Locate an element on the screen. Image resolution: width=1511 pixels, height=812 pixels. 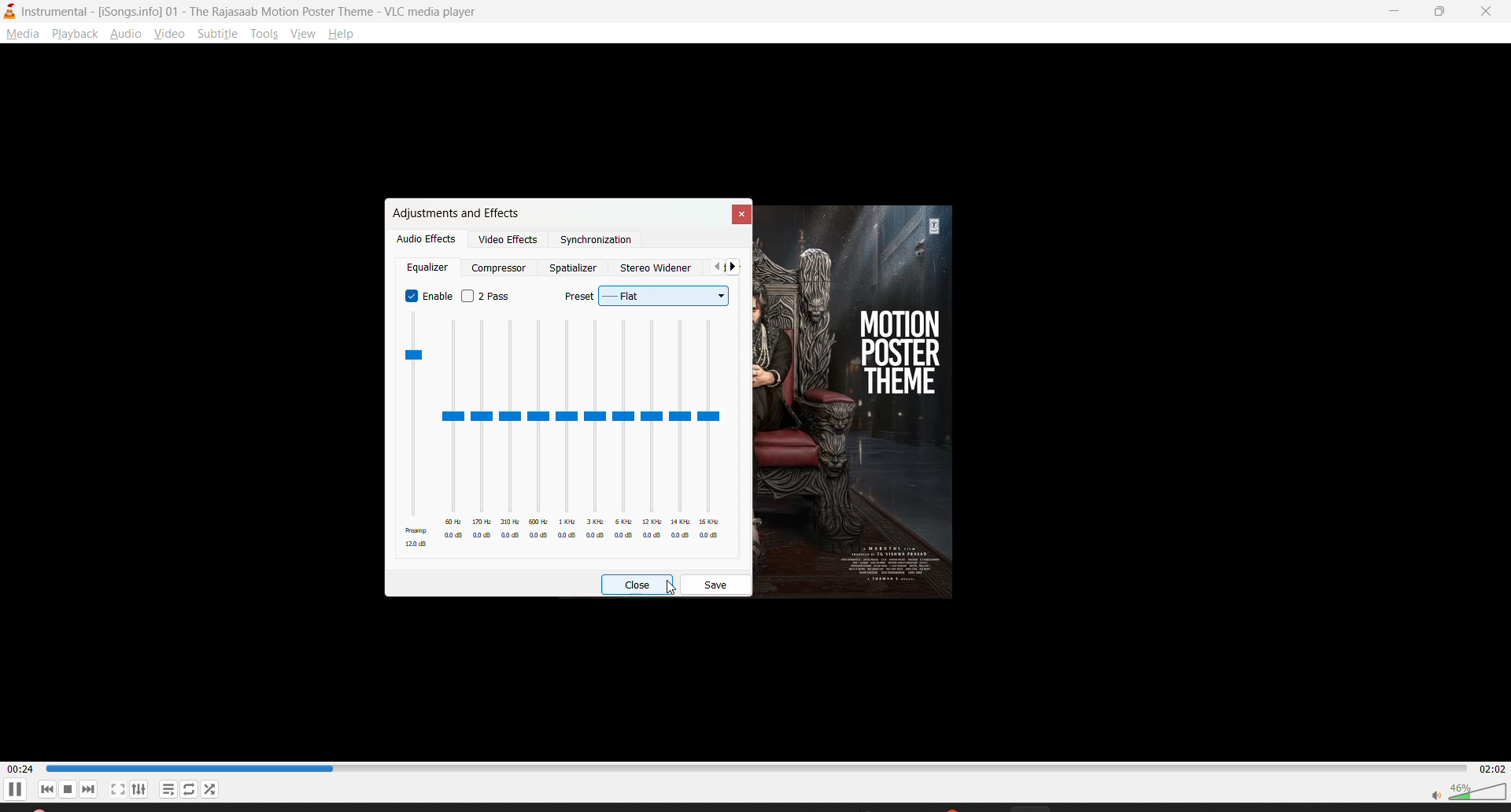
pause is located at coordinates (17, 792).